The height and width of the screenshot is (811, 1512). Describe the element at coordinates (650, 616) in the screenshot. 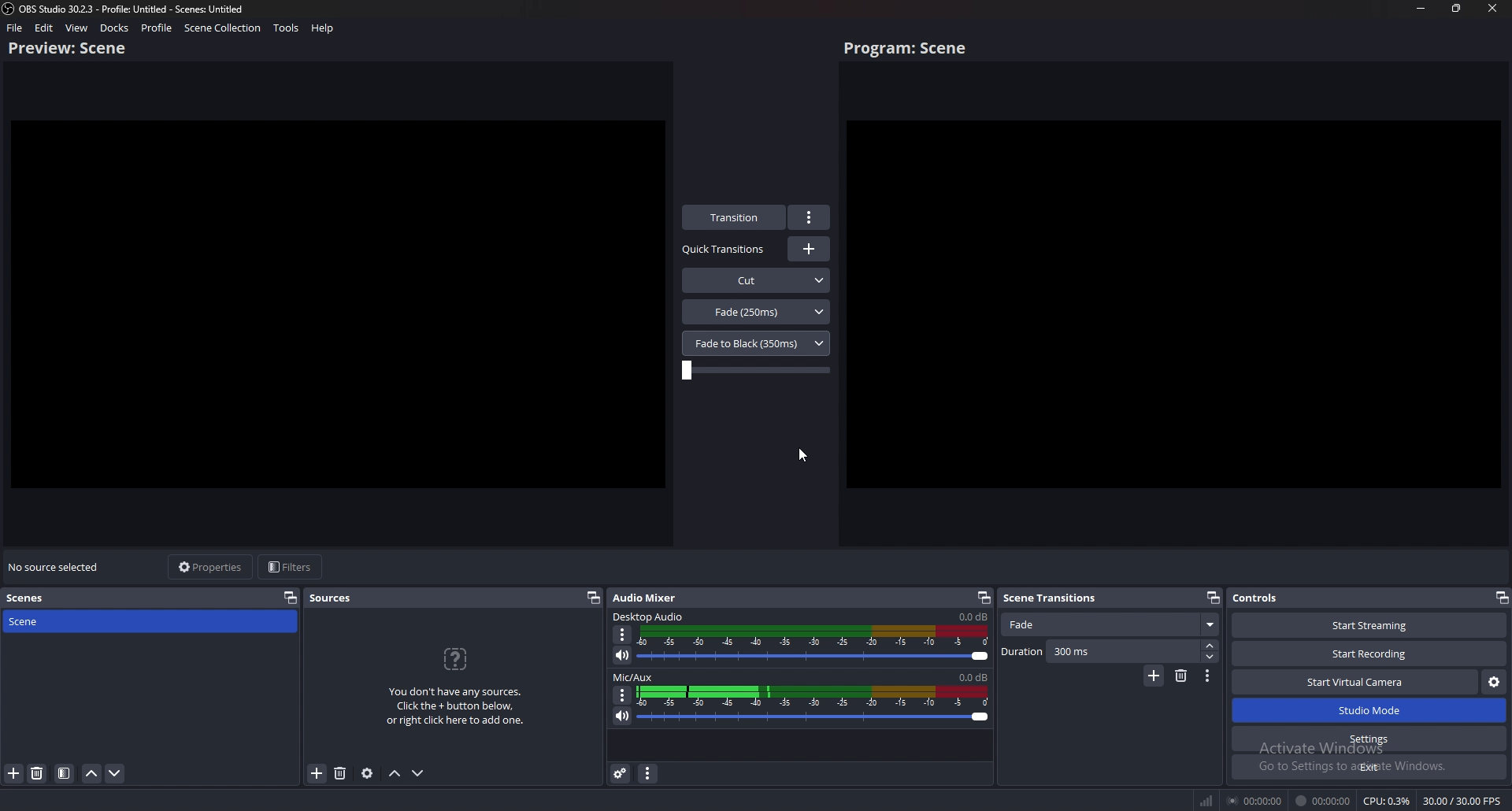

I see `Desktop audio` at that location.